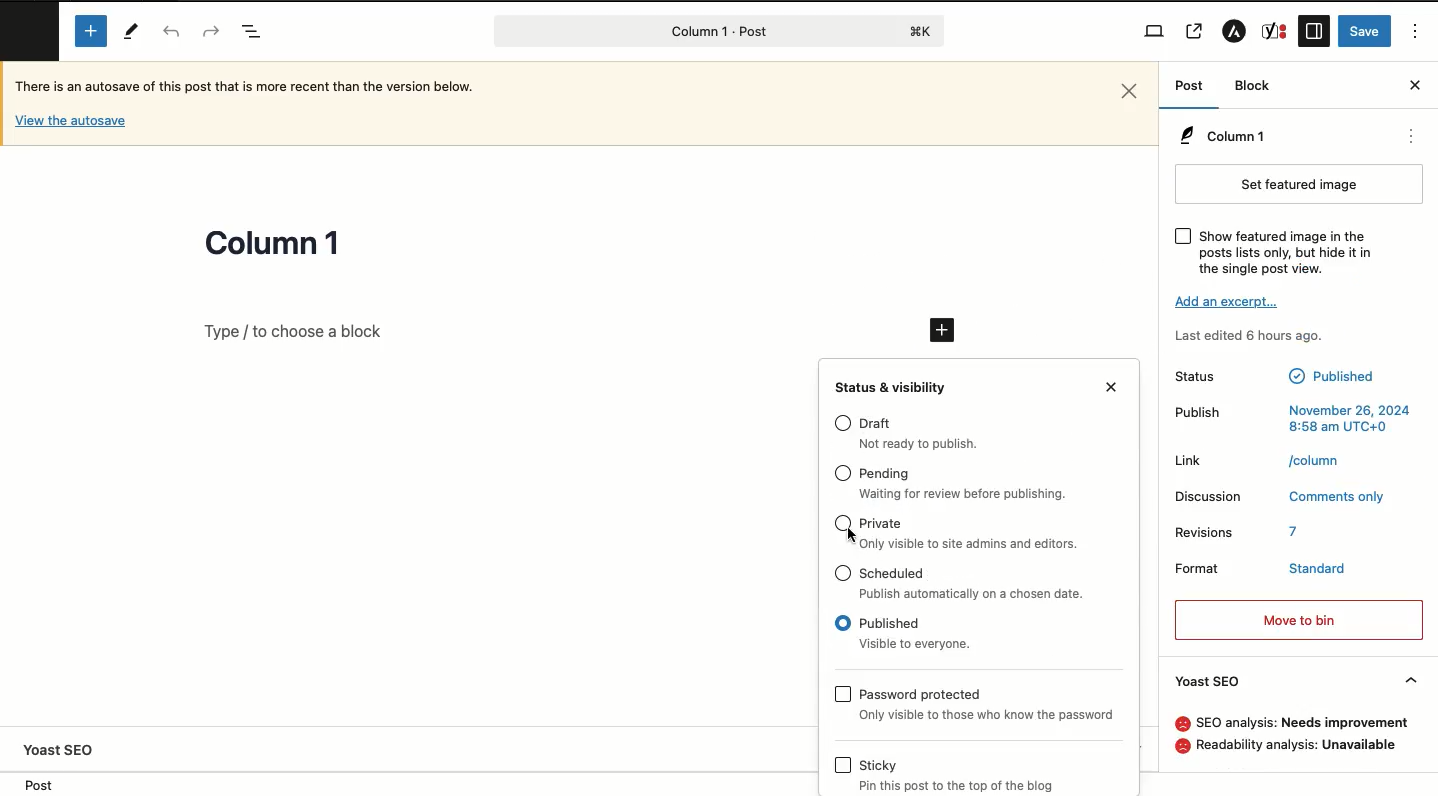 The height and width of the screenshot is (796, 1438). What do you see at coordinates (843, 573) in the screenshot?
I see `Checkbox` at bounding box center [843, 573].